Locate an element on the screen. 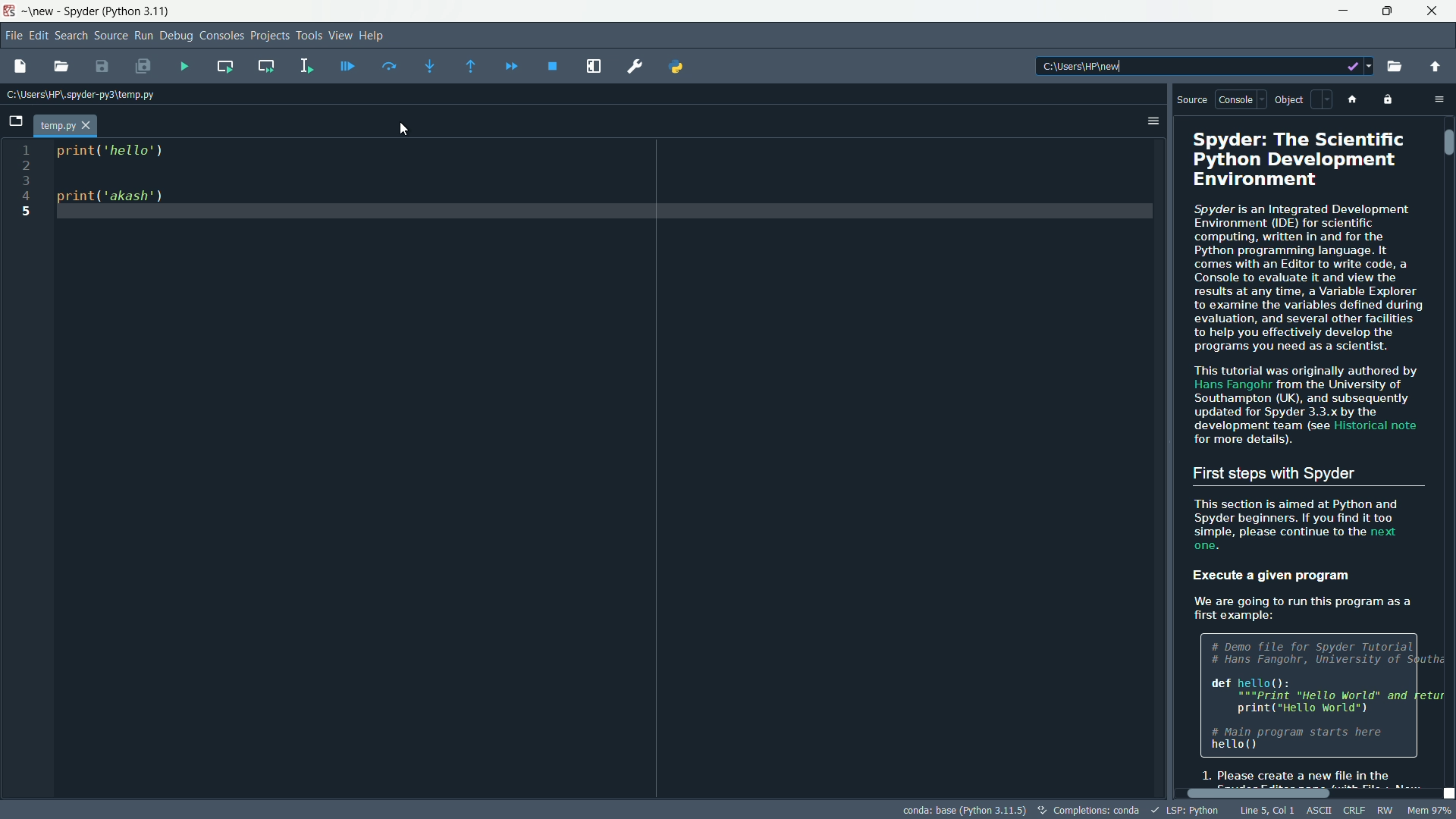  save file is located at coordinates (100, 67).